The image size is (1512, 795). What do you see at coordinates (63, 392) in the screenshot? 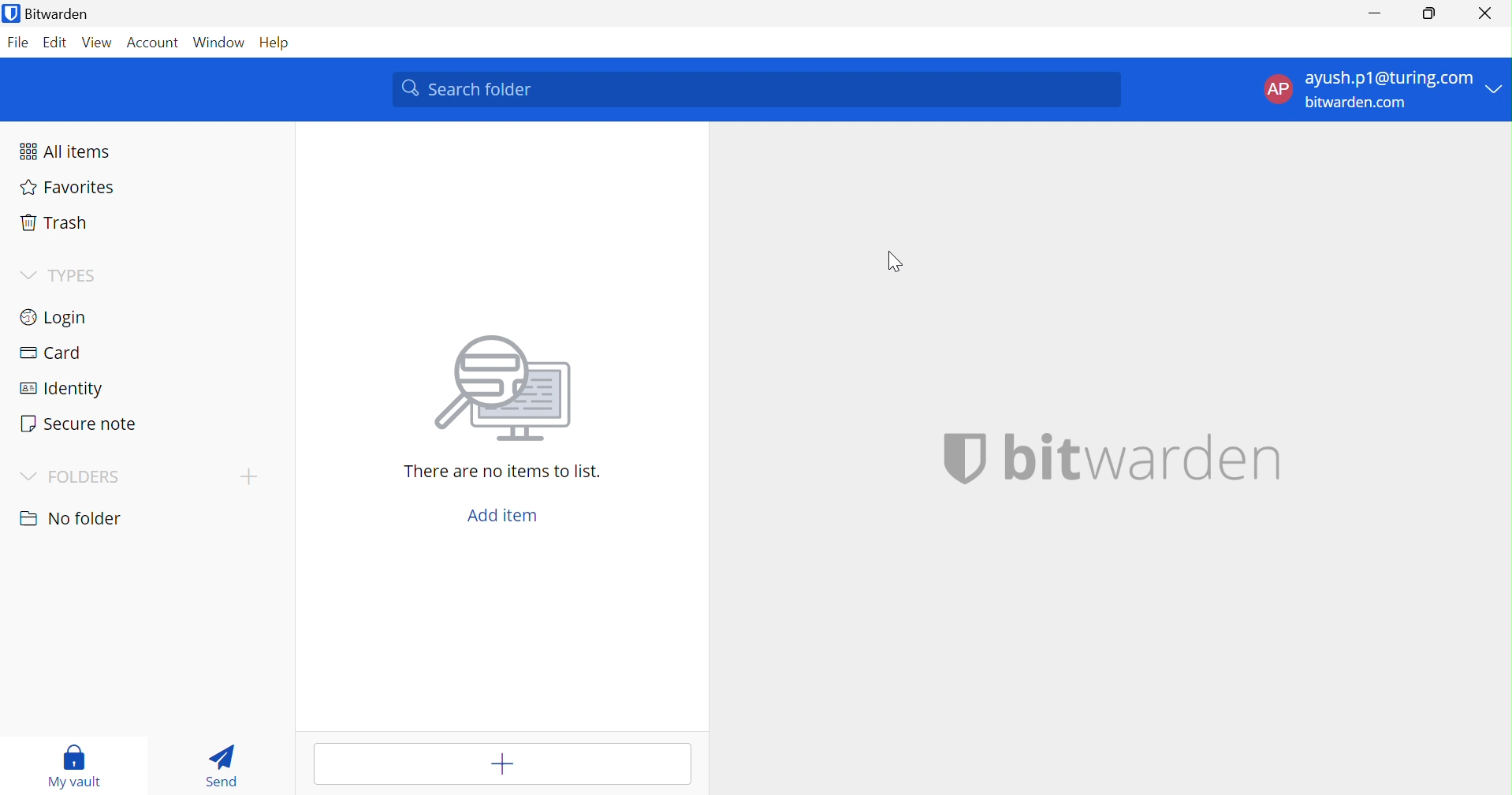
I see `Identity` at bounding box center [63, 392].